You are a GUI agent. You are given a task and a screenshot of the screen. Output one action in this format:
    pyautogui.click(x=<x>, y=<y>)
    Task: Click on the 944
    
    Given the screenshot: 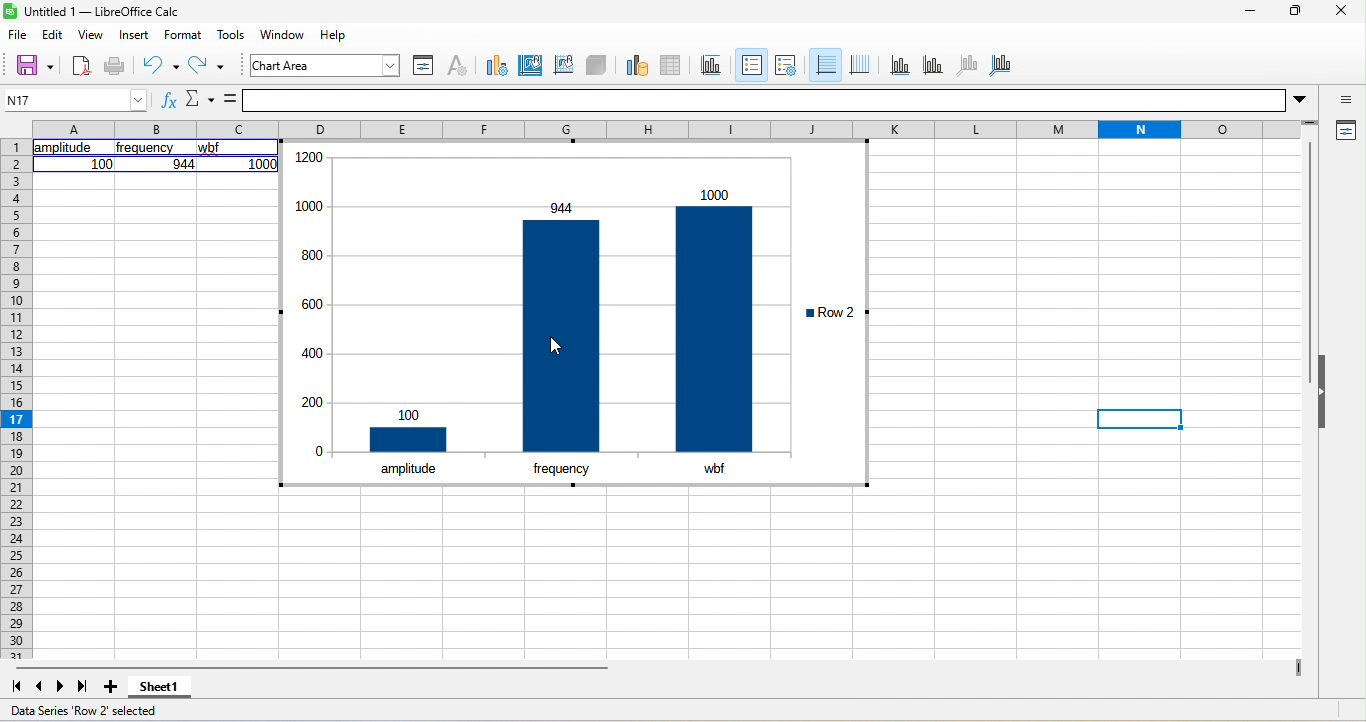 What is the action you would take?
    pyautogui.click(x=182, y=164)
    